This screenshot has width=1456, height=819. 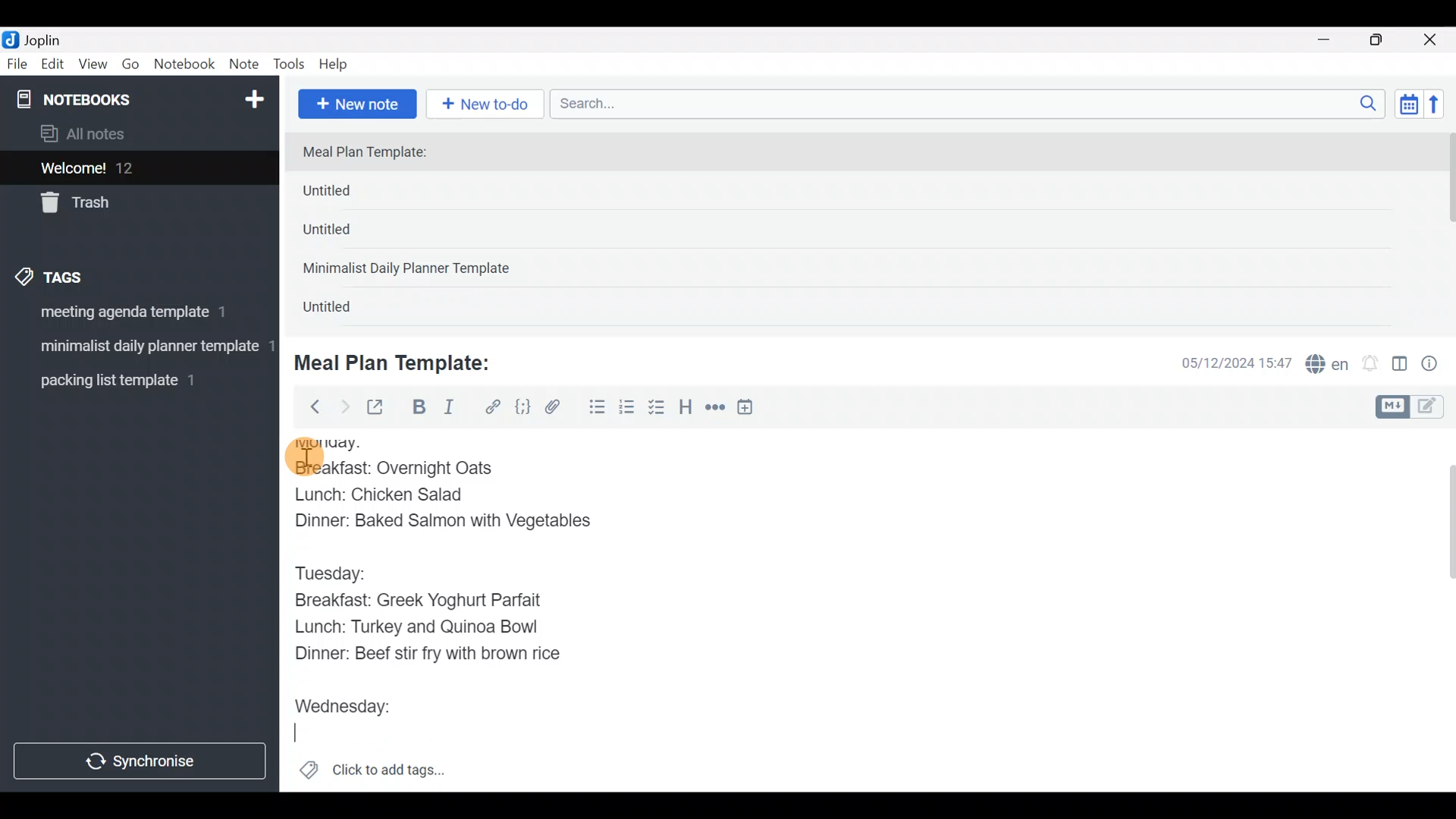 I want to click on Minimalist Daily Planner Template, so click(x=411, y=270).